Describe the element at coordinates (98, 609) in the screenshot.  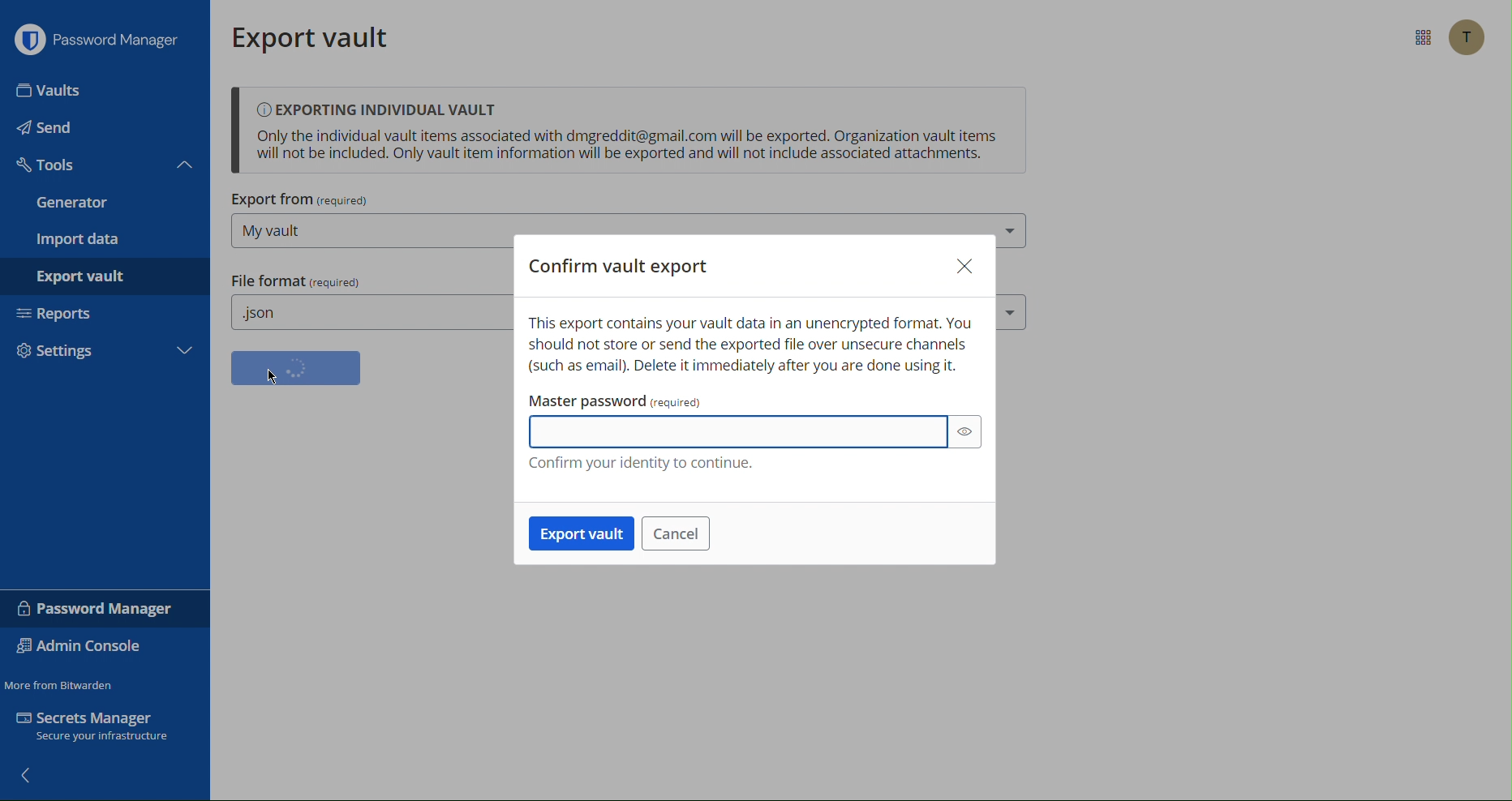
I see `Password Manager` at that location.